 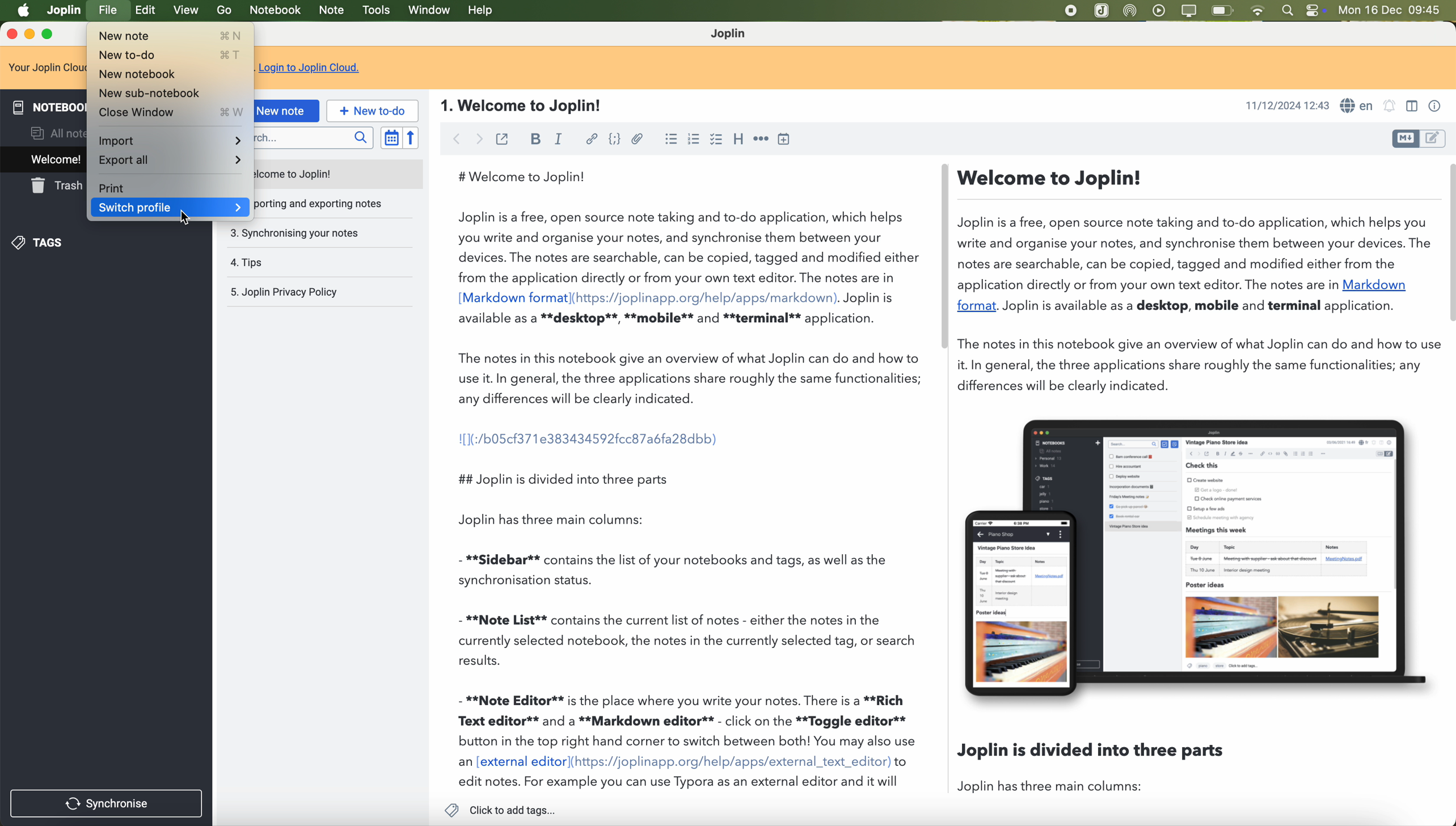 What do you see at coordinates (761, 138) in the screenshot?
I see `horizontal rule` at bounding box center [761, 138].